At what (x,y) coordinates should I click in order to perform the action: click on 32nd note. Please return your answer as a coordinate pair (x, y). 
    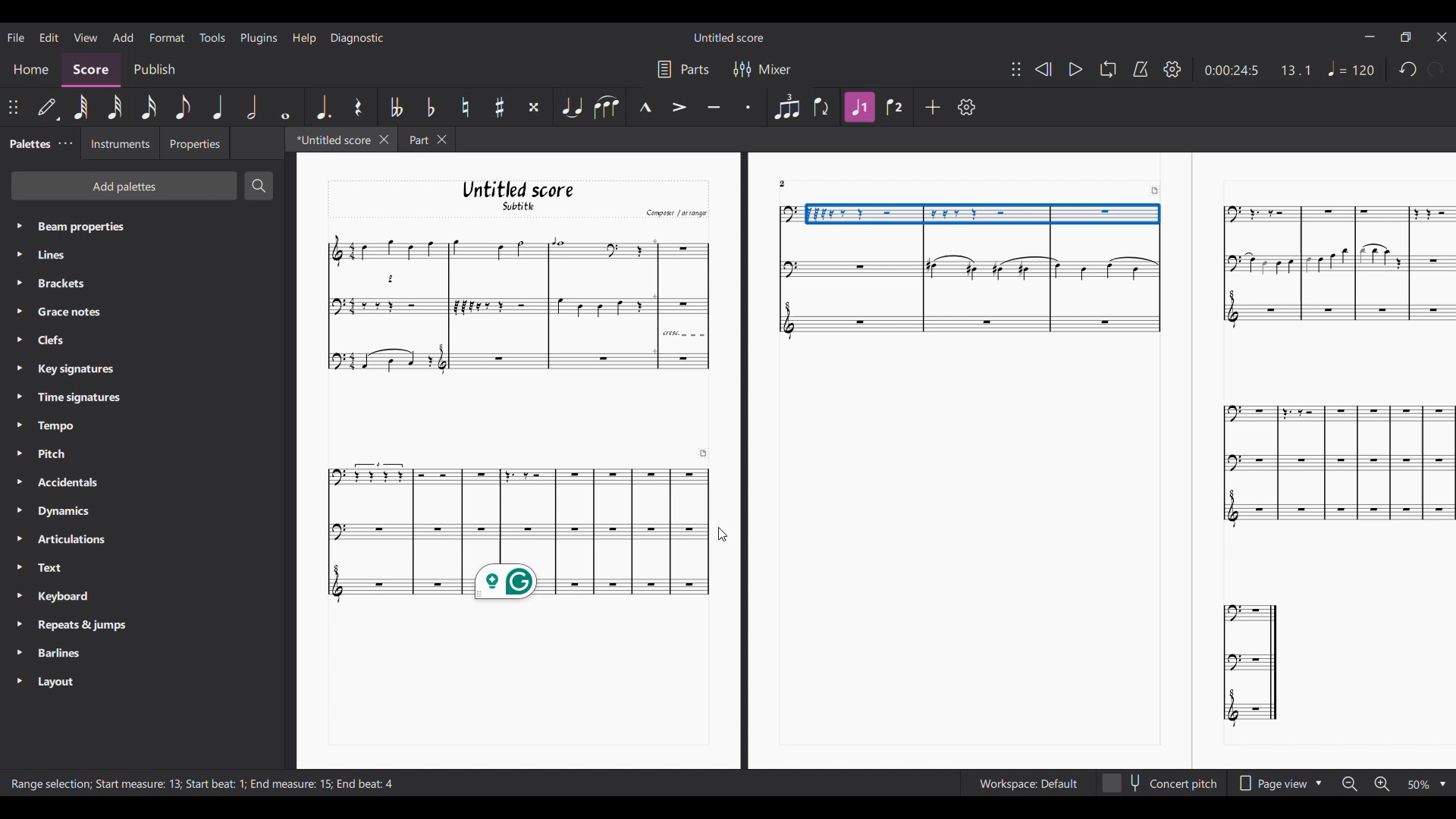
    Looking at the image, I should click on (115, 107).